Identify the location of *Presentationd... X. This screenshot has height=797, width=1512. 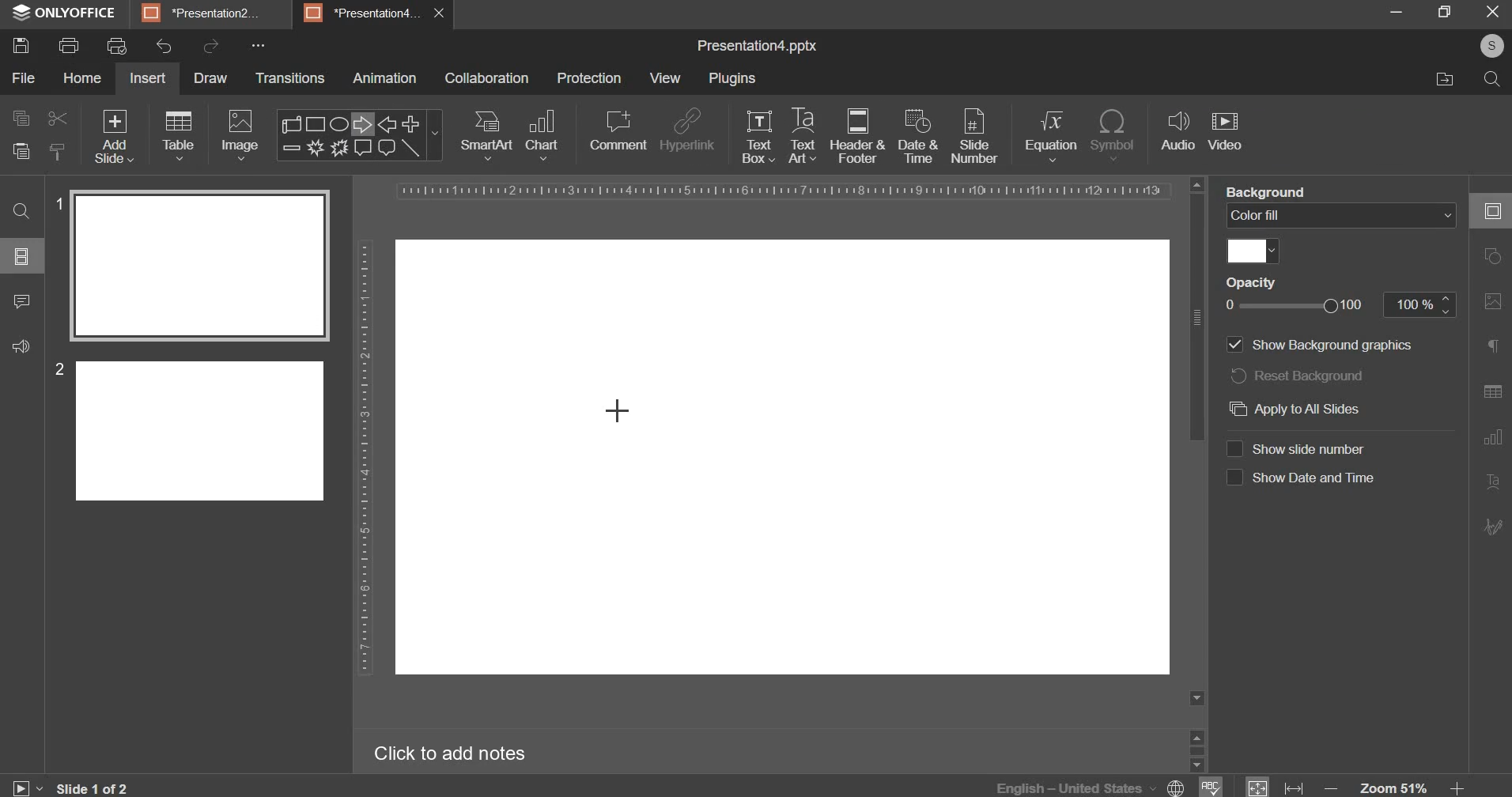
(378, 13).